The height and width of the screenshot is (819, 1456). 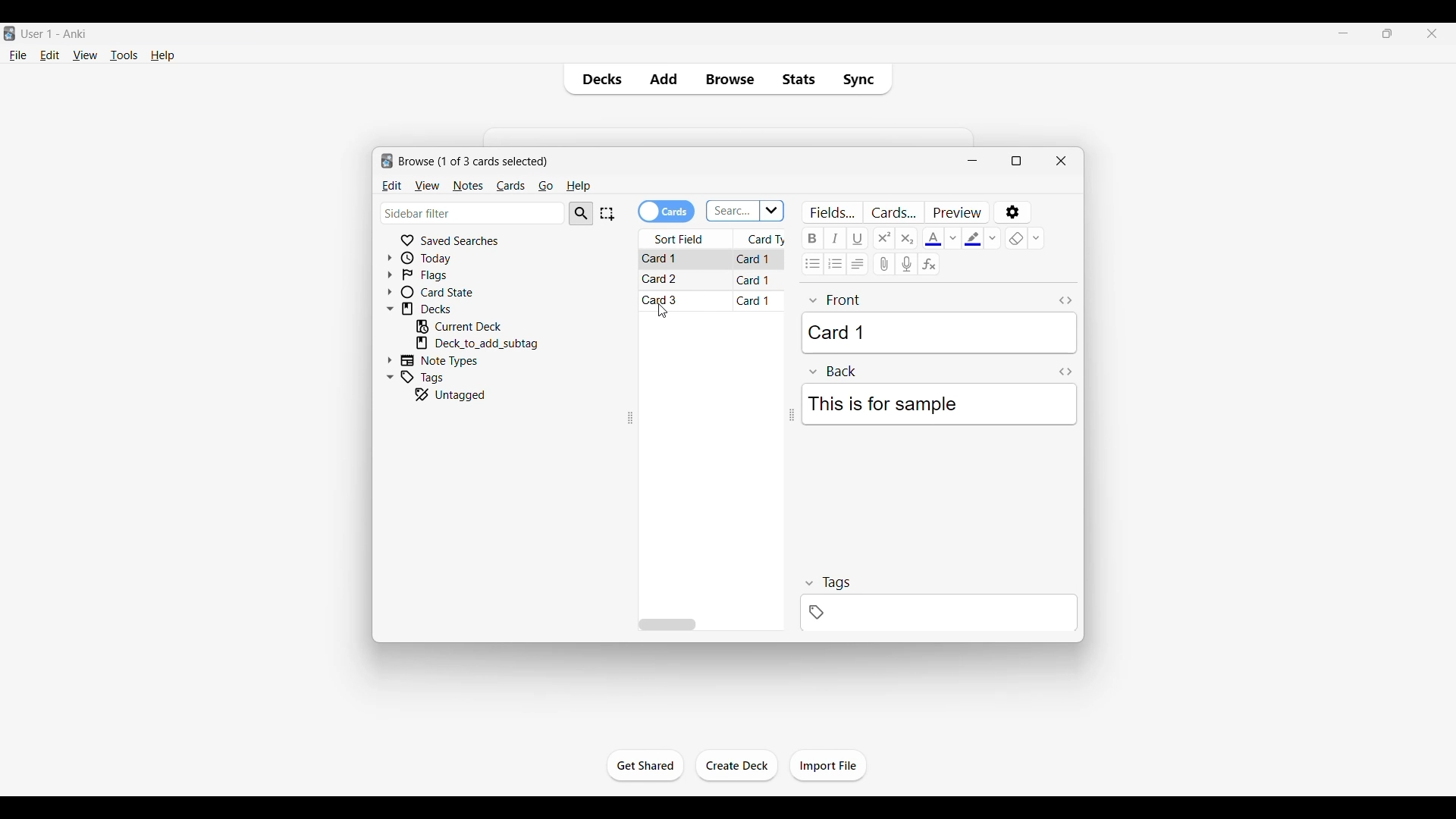 What do you see at coordinates (666, 212) in the screenshot?
I see `Toggle cards/notes` at bounding box center [666, 212].